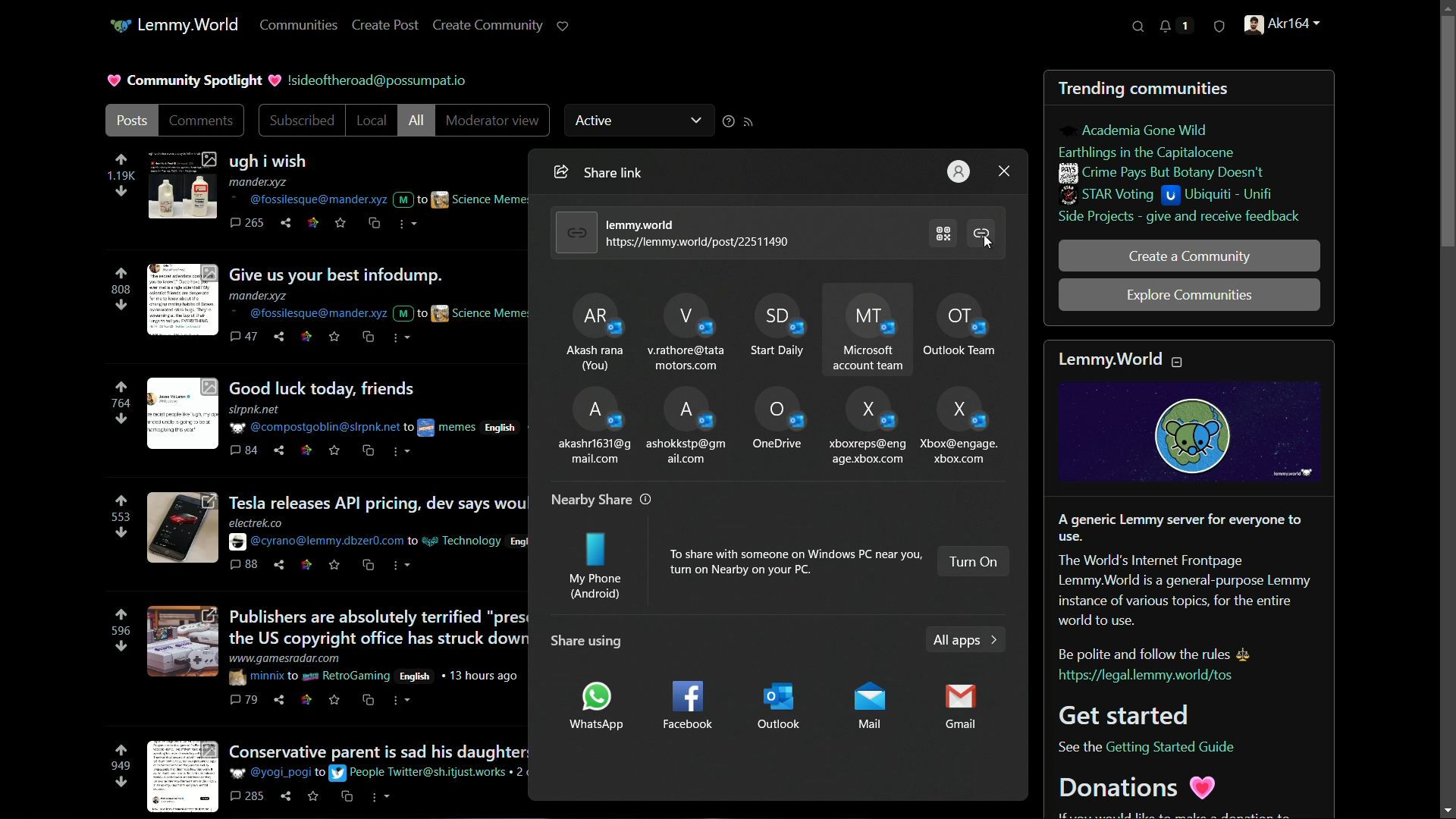  Describe the element at coordinates (293, 676) in the screenshot. I see `to` at that location.